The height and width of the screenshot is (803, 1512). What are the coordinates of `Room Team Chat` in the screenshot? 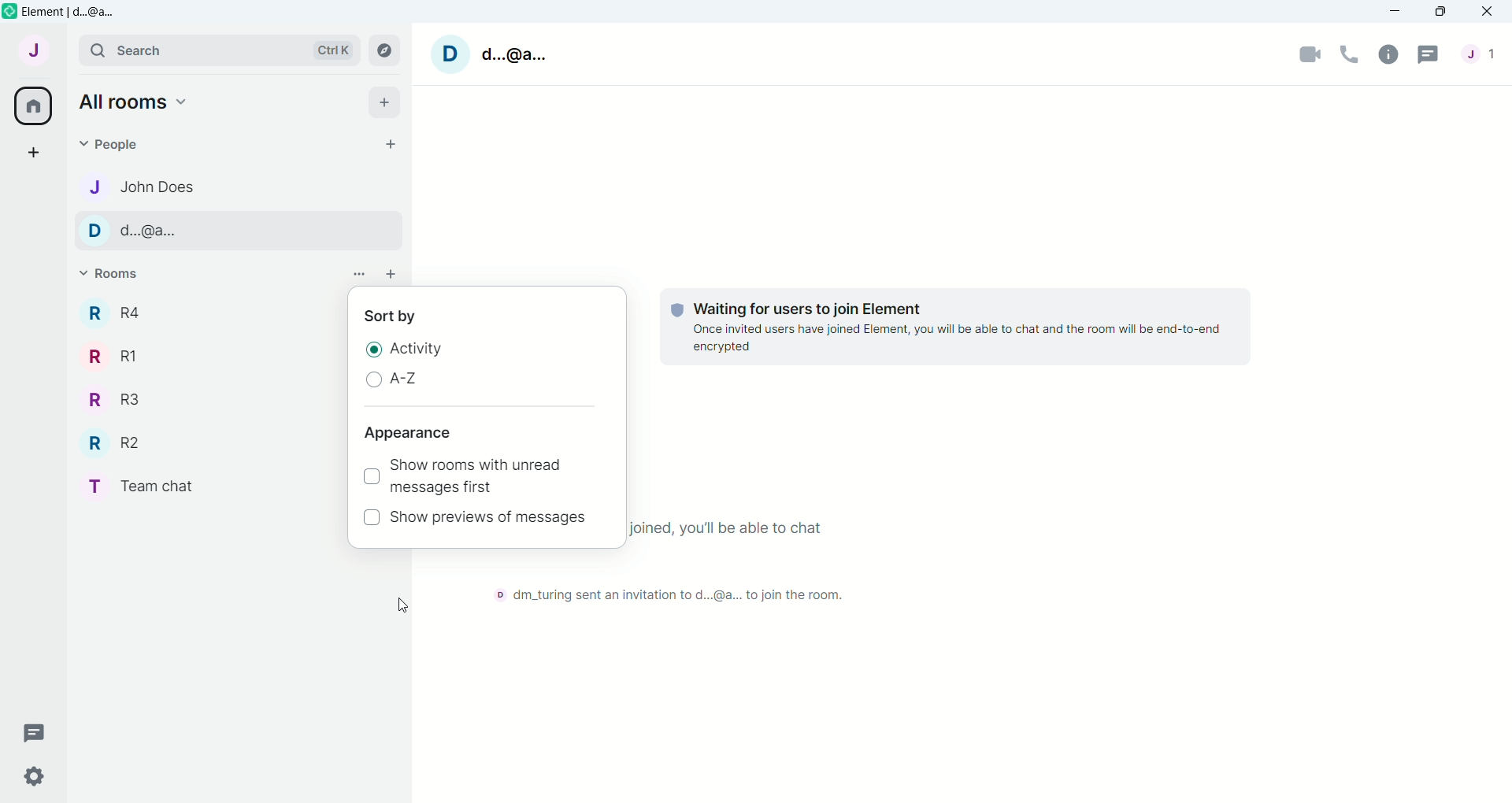 It's located at (135, 487).